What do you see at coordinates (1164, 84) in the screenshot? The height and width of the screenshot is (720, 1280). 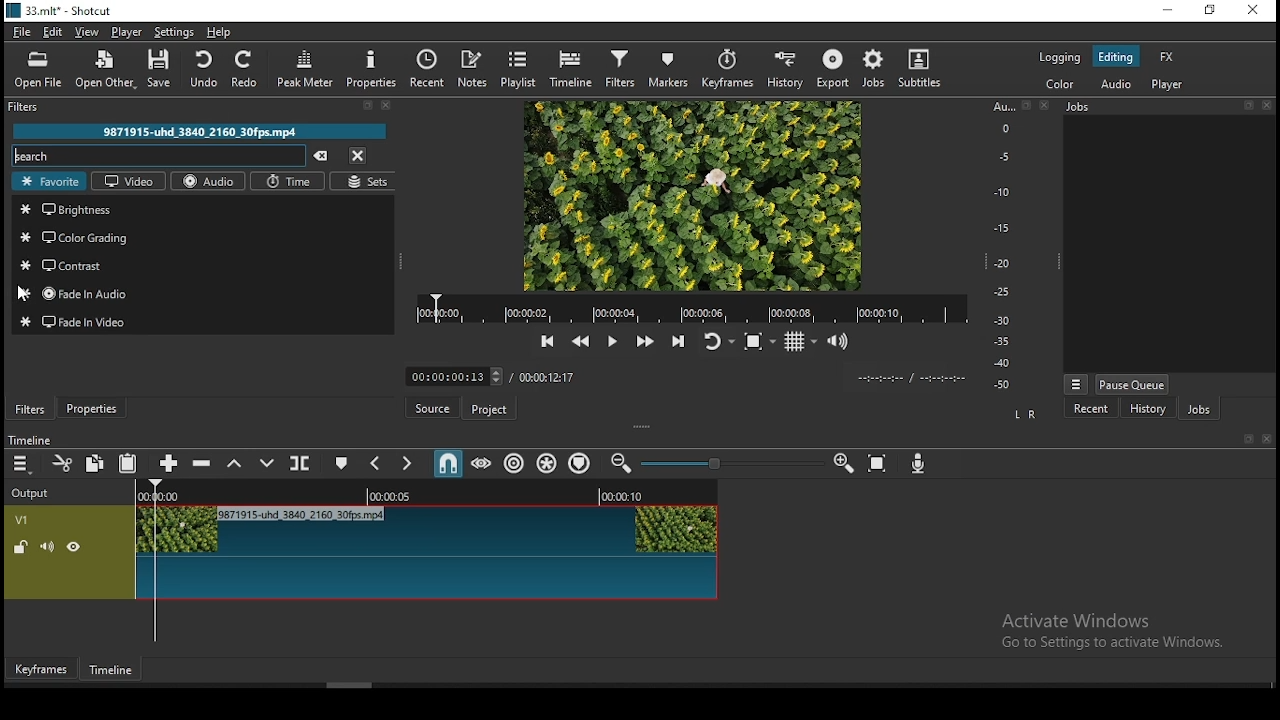 I see `player` at bounding box center [1164, 84].